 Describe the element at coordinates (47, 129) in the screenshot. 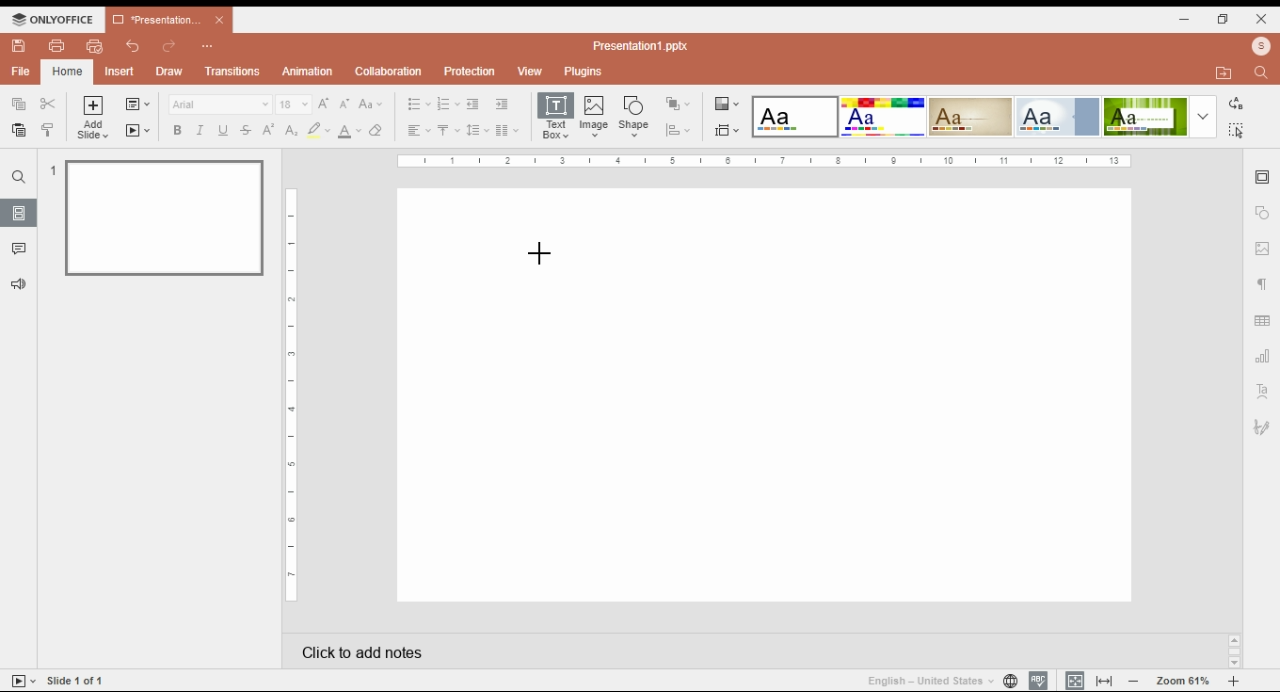

I see `copy style` at that location.